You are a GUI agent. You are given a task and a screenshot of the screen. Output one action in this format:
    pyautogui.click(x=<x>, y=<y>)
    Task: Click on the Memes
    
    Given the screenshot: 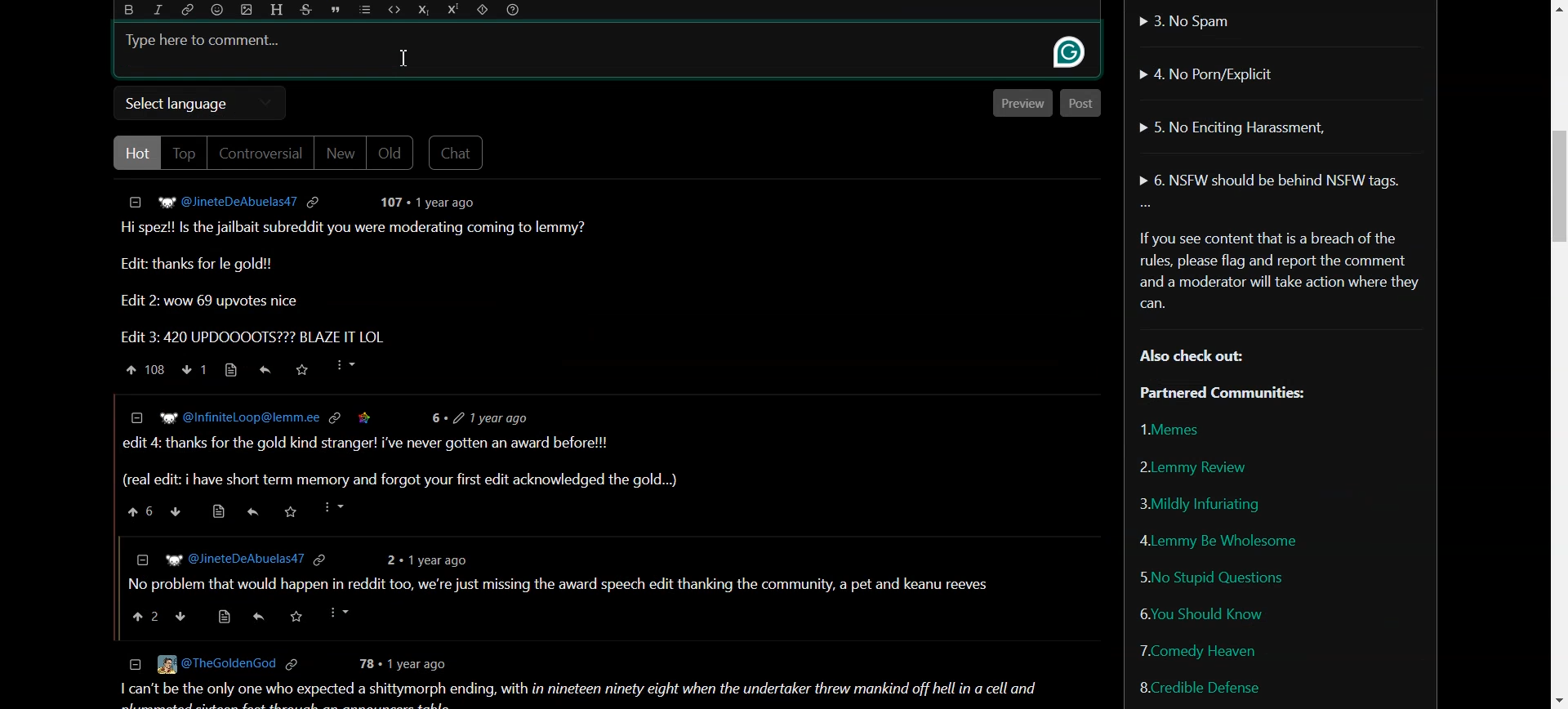 What is the action you would take?
    pyautogui.click(x=1175, y=429)
    